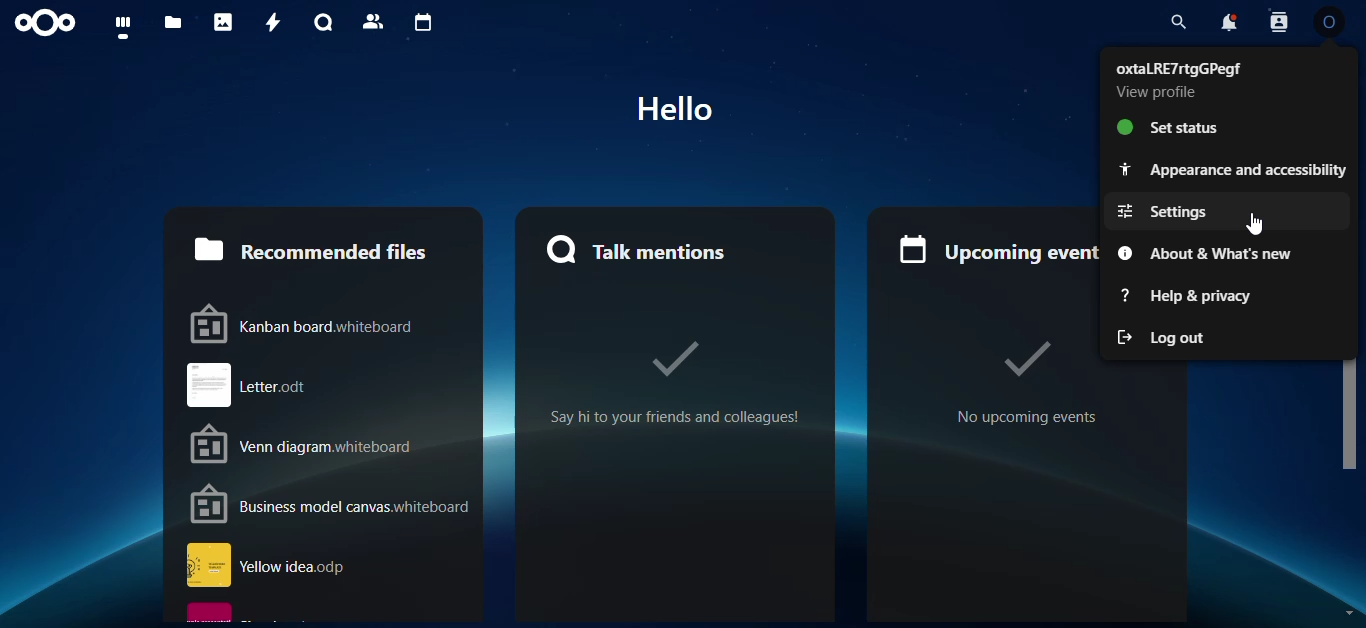 The width and height of the screenshot is (1366, 628). Describe the element at coordinates (320, 23) in the screenshot. I see `talk` at that location.